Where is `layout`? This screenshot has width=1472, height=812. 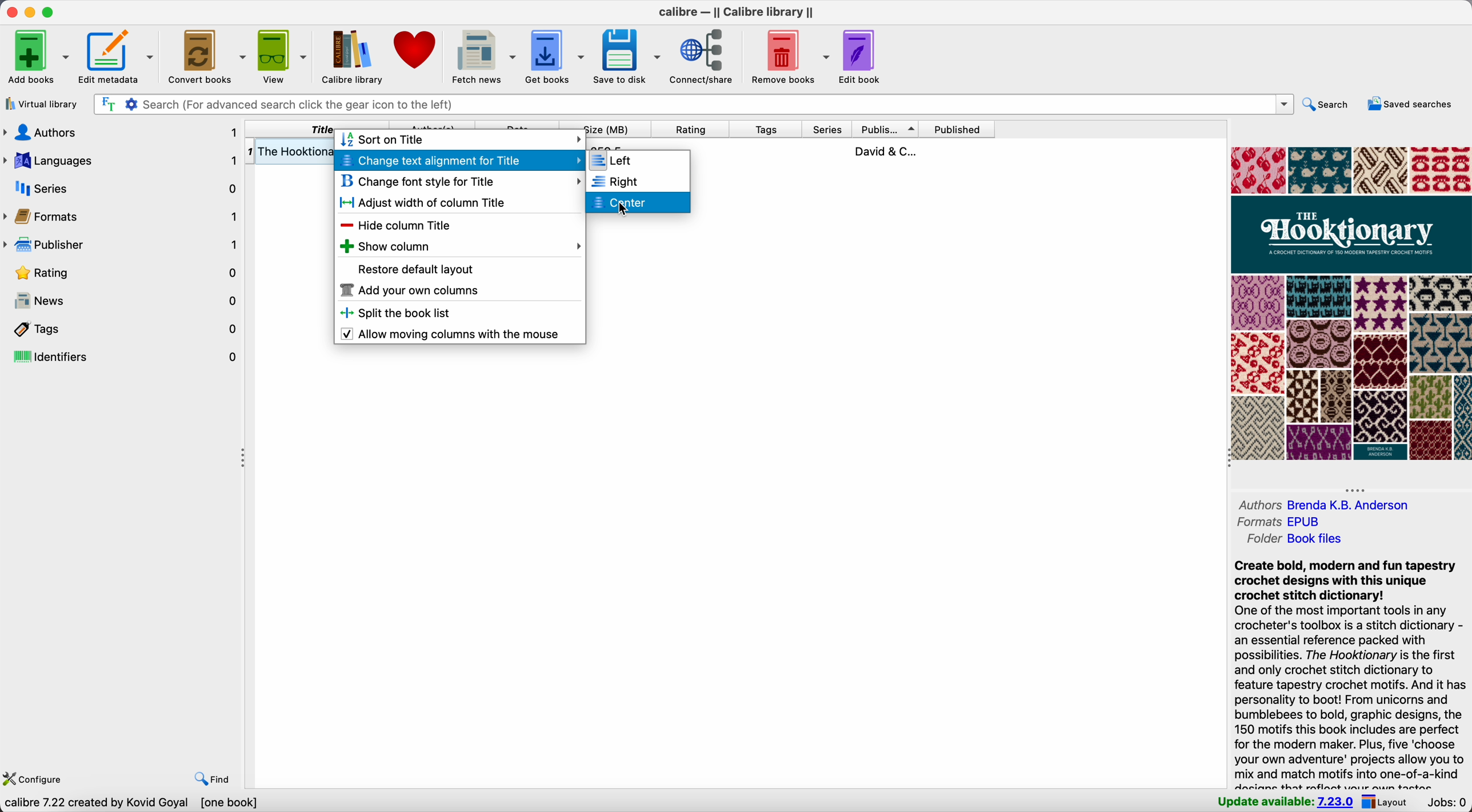 layout is located at coordinates (1390, 802).